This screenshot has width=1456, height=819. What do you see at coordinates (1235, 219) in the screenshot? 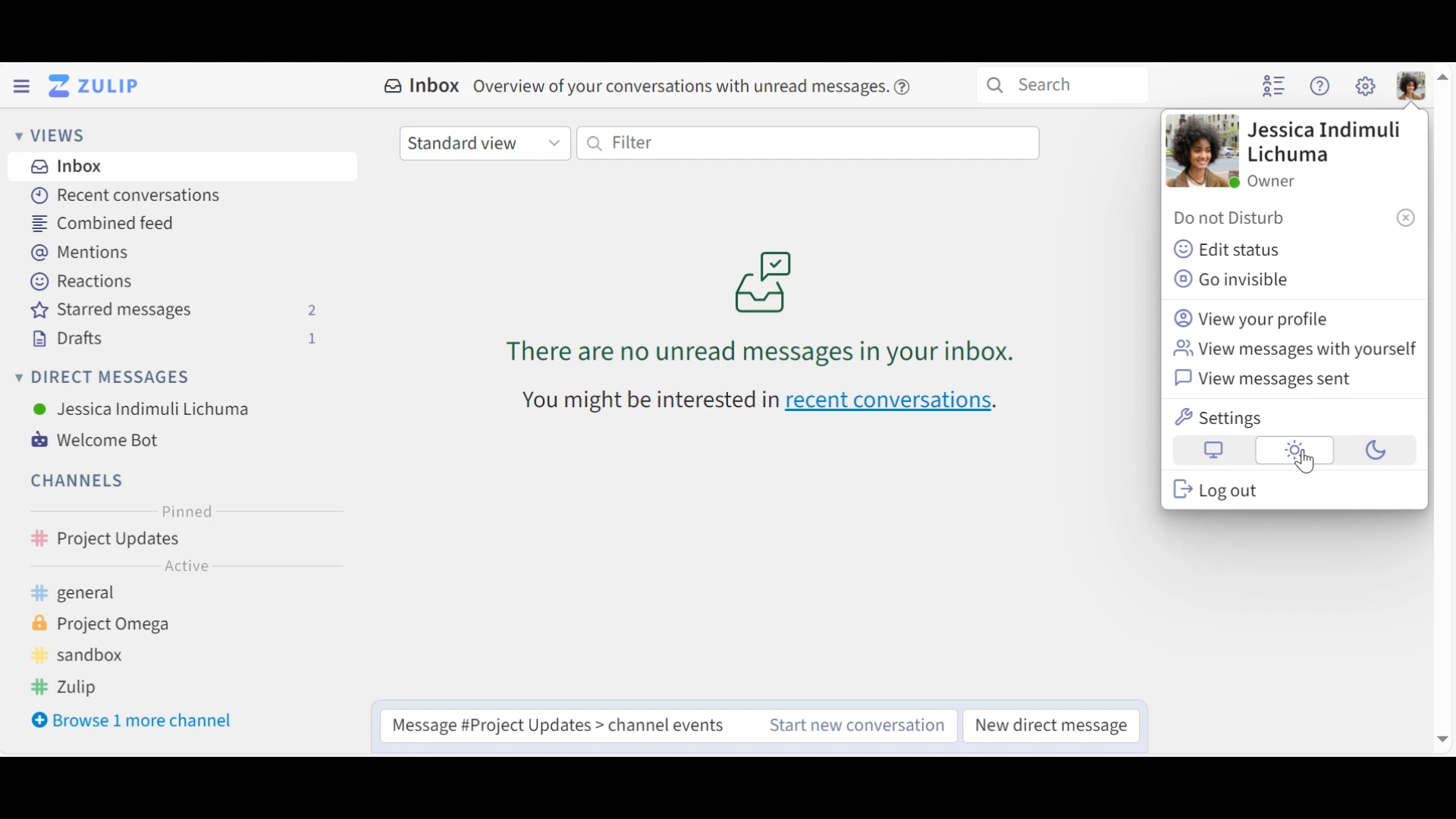
I see `Do not disturb` at bounding box center [1235, 219].